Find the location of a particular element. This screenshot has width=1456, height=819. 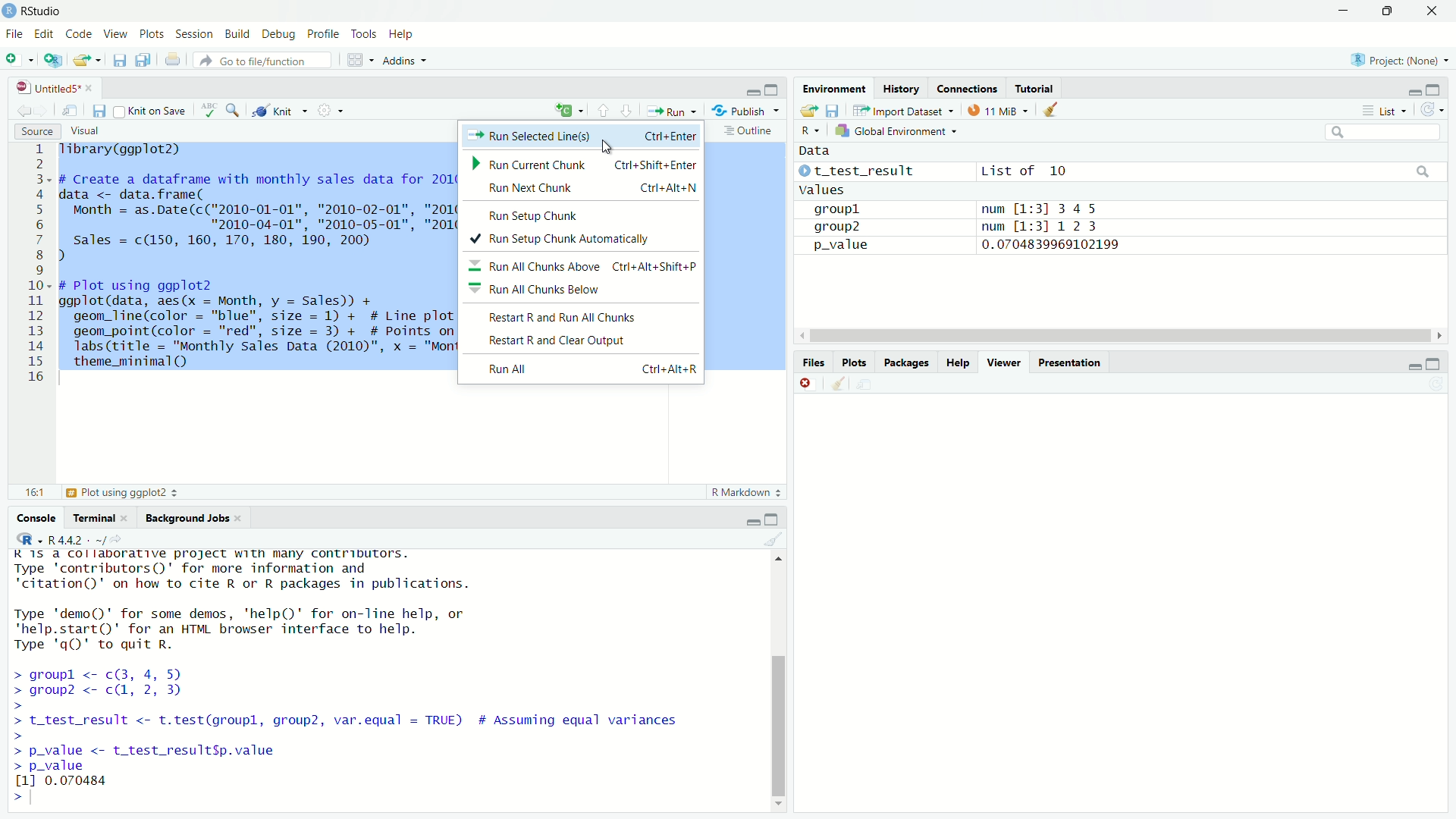

Source is located at coordinates (36, 132).